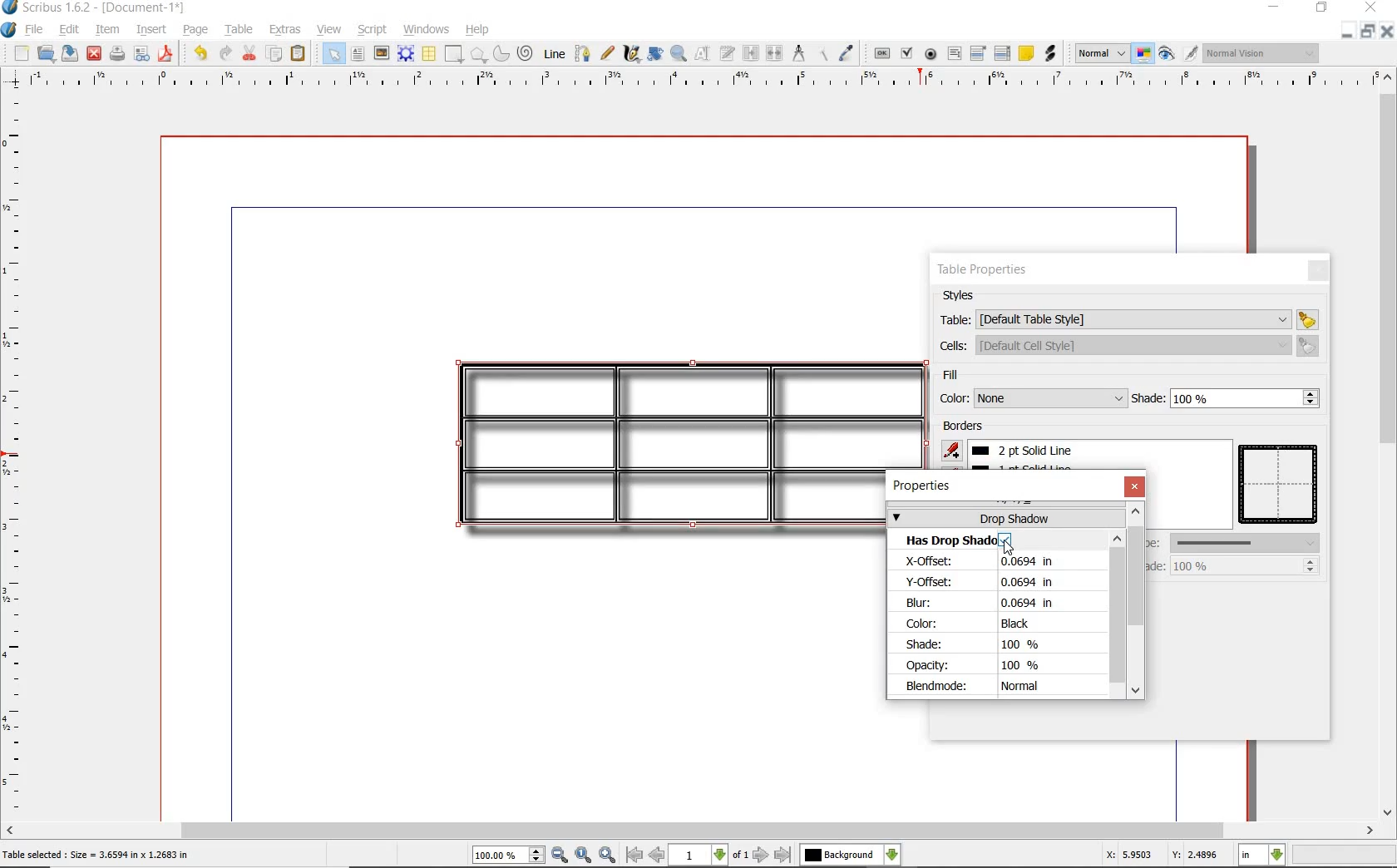 This screenshot has height=868, width=1397. Describe the element at coordinates (155, 28) in the screenshot. I see `insert` at that location.